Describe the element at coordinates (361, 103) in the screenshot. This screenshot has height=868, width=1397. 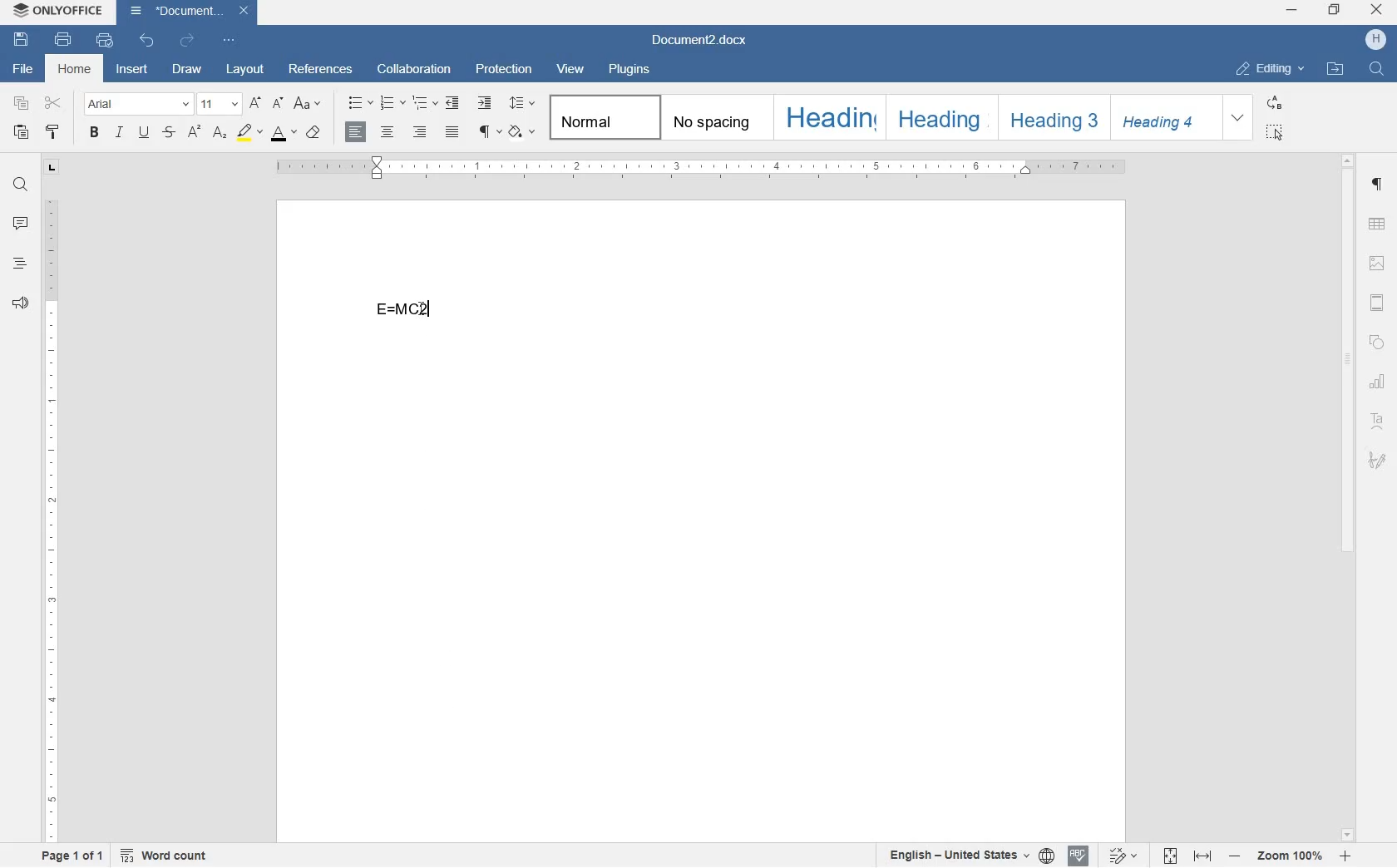
I see `bullets` at that location.